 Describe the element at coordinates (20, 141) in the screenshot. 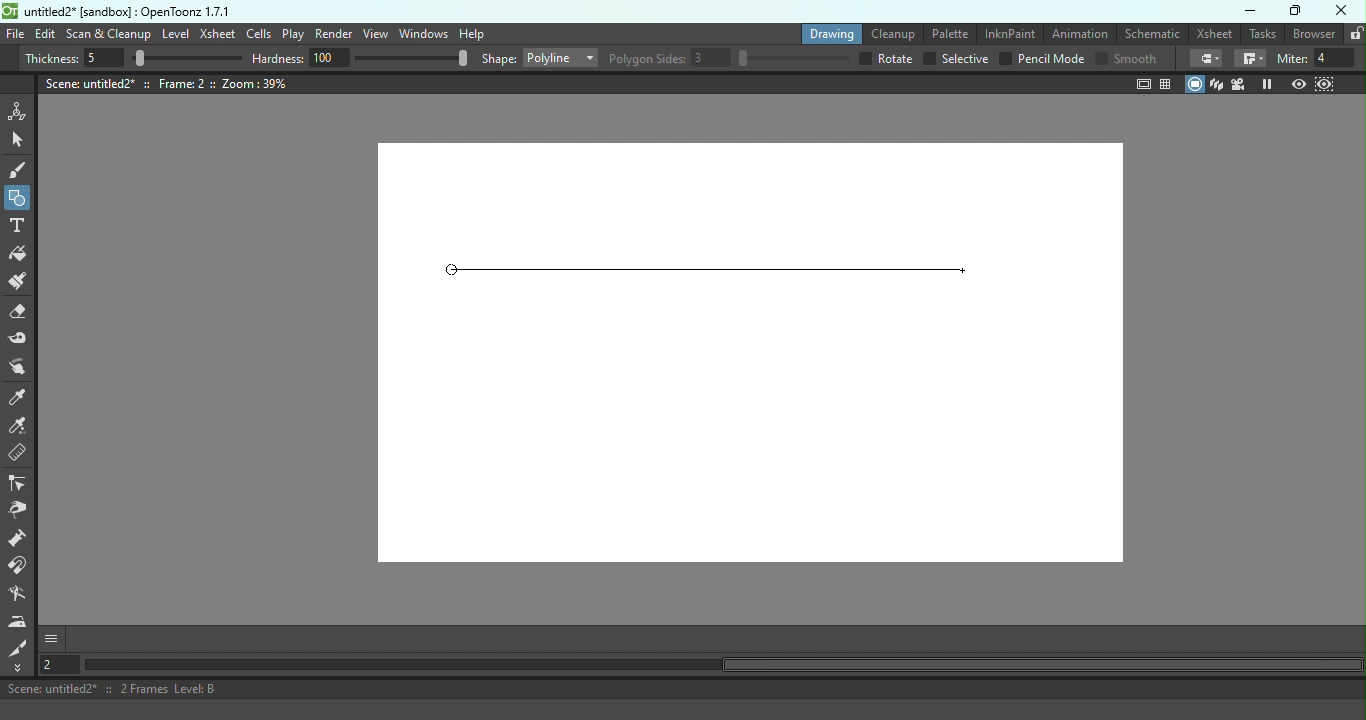

I see `Selection tool` at that location.